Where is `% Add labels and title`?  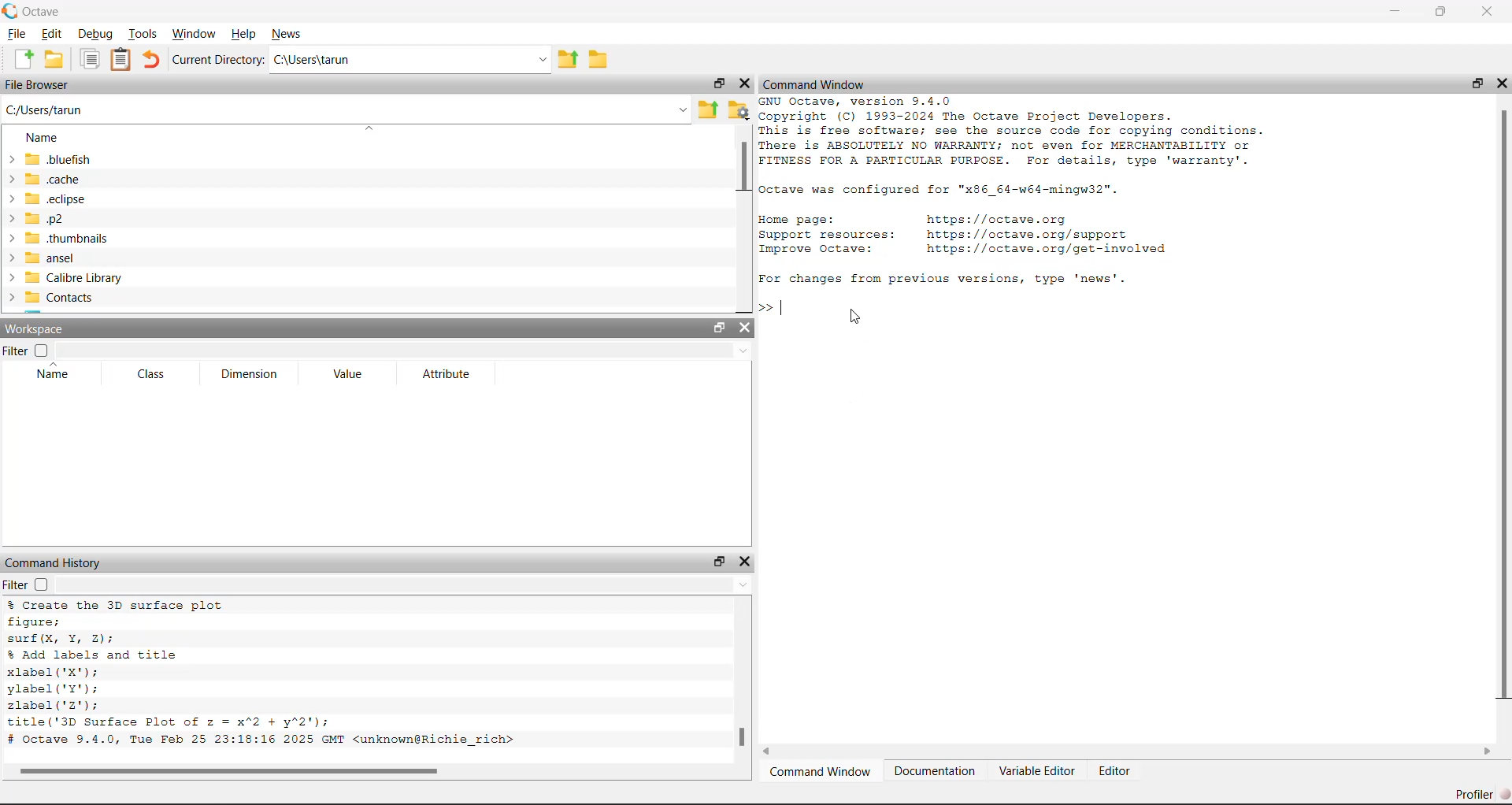
% Add labels and title is located at coordinates (96, 654).